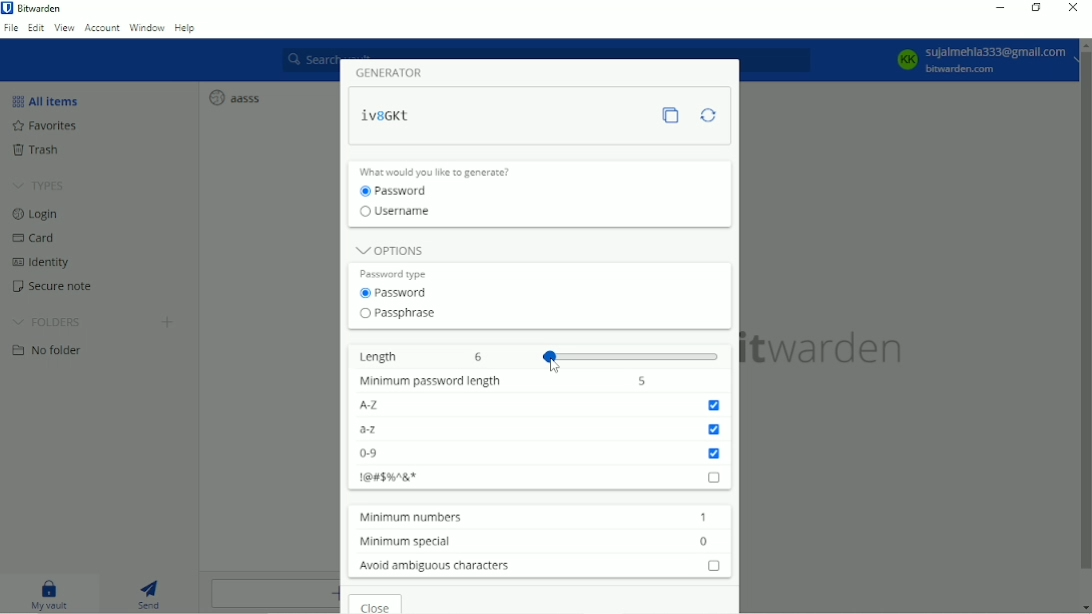 The height and width of the screenshot is (614, 1092). I want to click on Login, so click(36, 215).